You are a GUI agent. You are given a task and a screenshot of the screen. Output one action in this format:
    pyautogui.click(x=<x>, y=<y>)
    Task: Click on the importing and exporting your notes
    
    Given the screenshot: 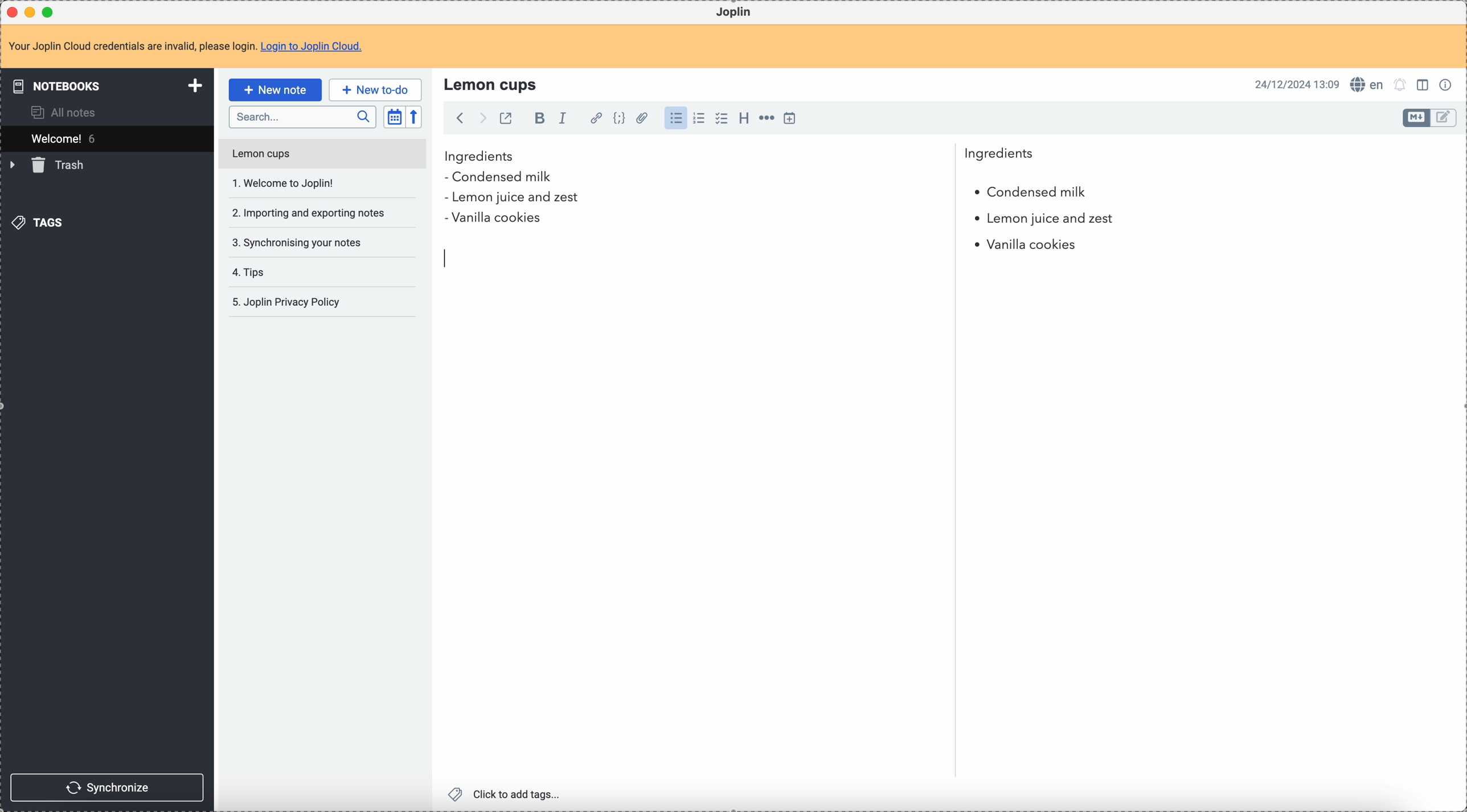 What is the action you would take?
    pyautogui.click(x=310, y=213)
    